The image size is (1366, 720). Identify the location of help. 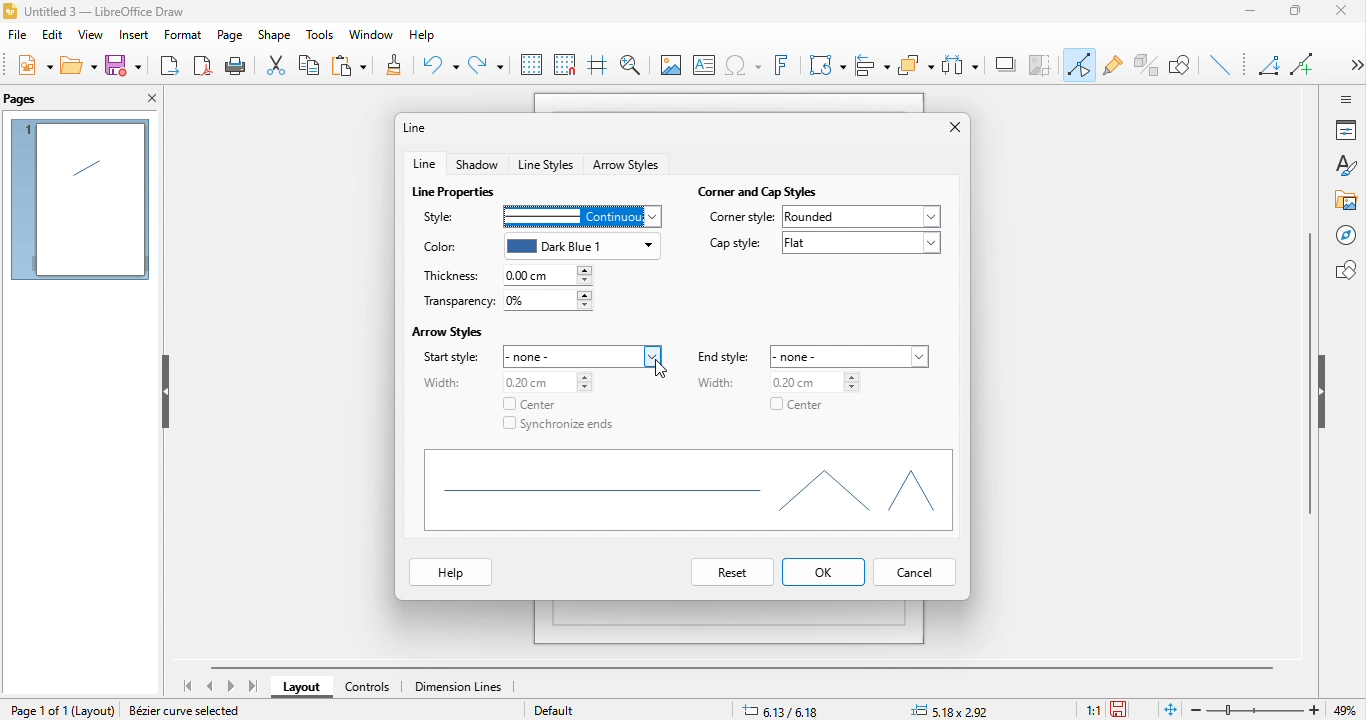
(452, 574).